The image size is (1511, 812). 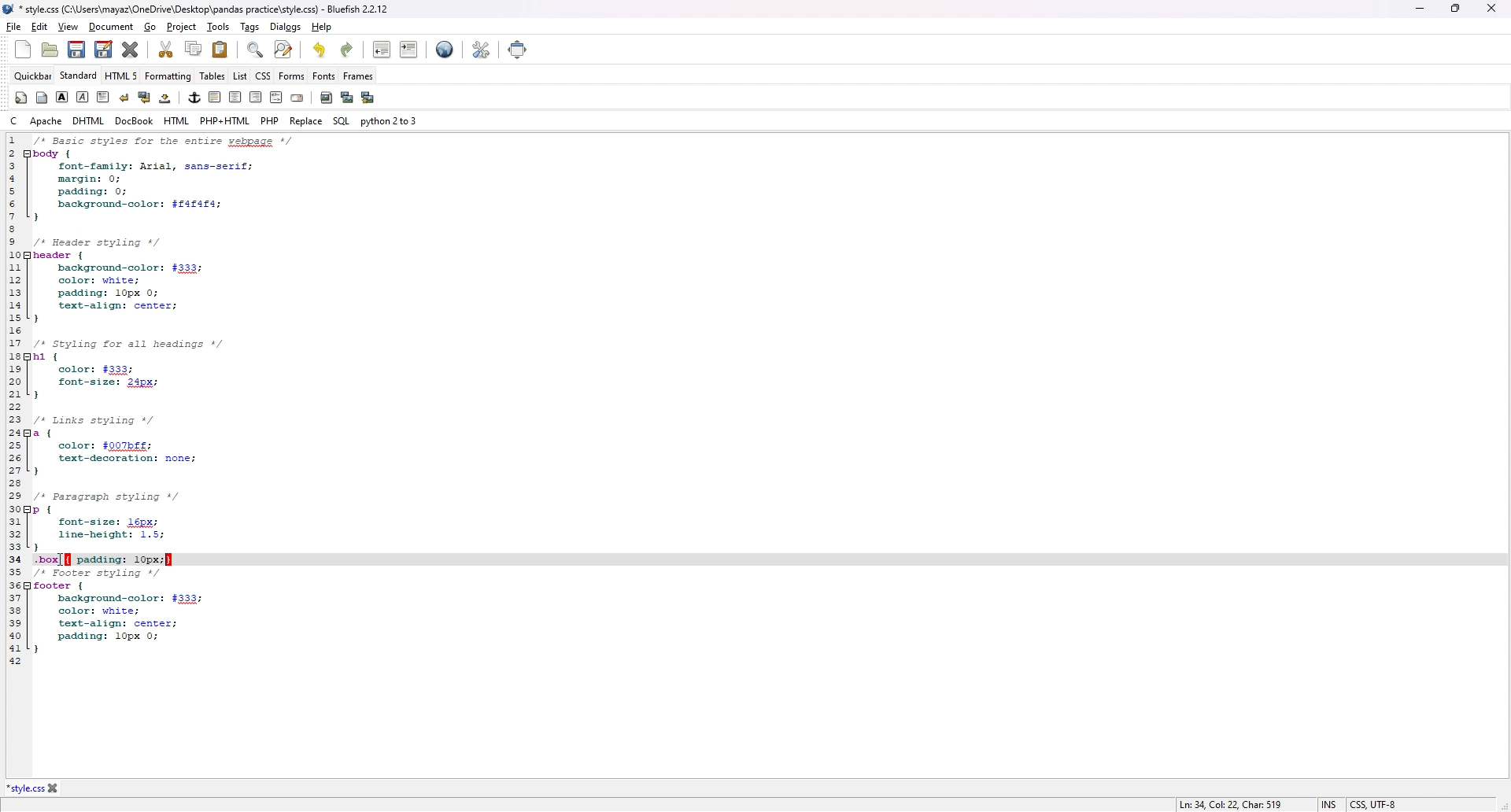 I want to click on formatting, so click(x=168, y=76).